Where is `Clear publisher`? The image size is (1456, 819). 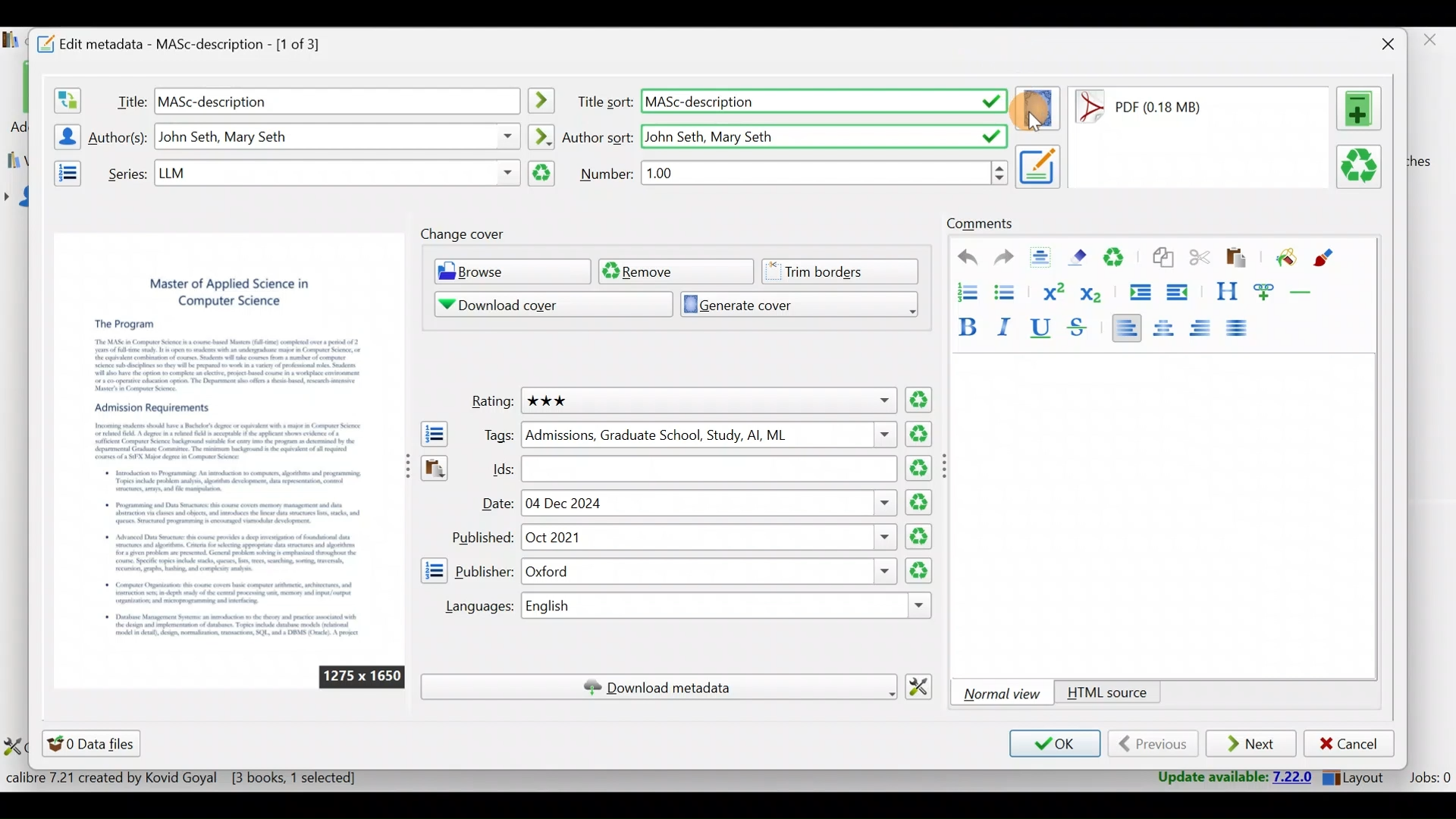 Clear publisher is located at coordinates (917, 570).